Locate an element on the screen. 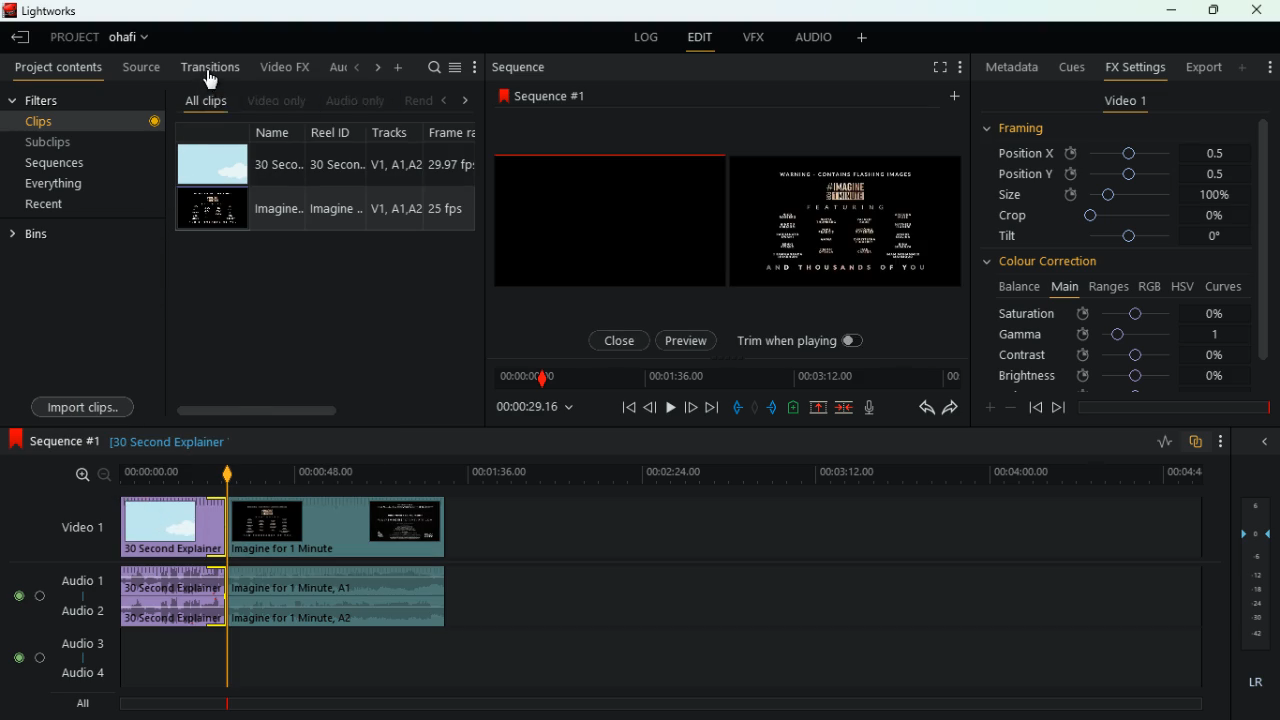 This screenshot has height=720, width=1280. back is located at coordinates (1035, 407).